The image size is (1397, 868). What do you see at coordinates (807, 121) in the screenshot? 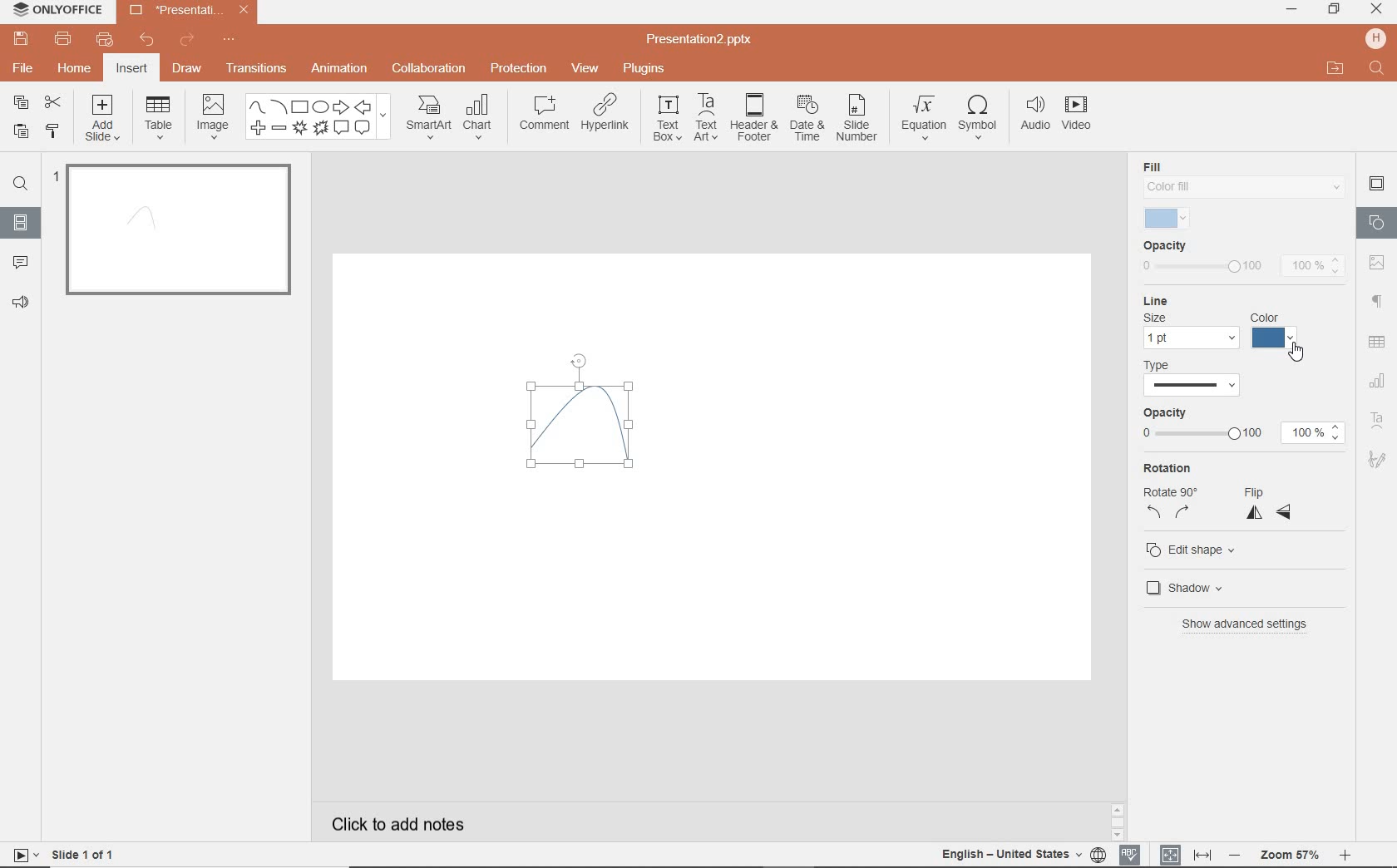
I see `DATE & TIME` at bounding box center [807, 121].